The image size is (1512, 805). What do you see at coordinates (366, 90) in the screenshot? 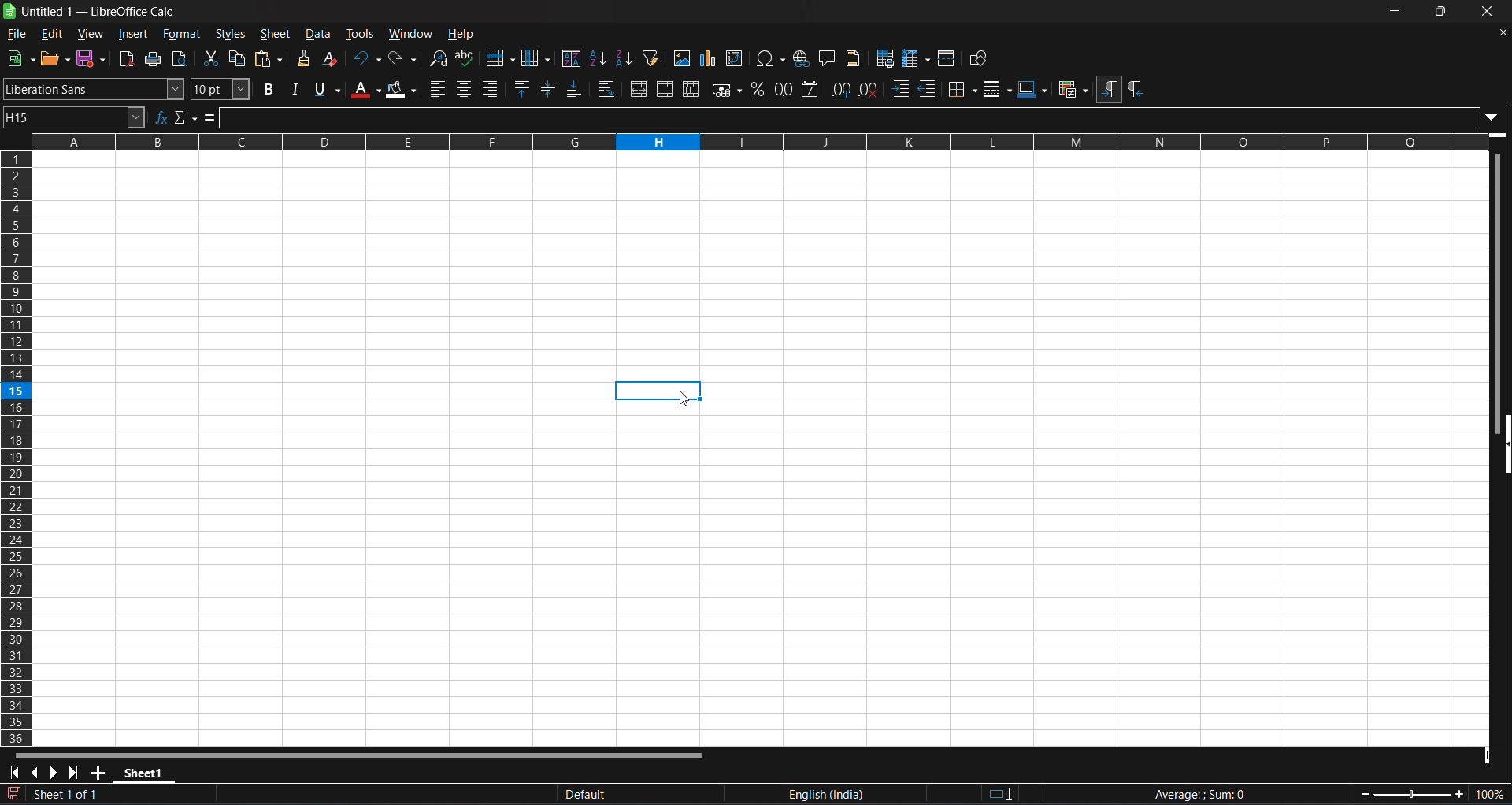
I see `font color` at bounding box center [366, 90].